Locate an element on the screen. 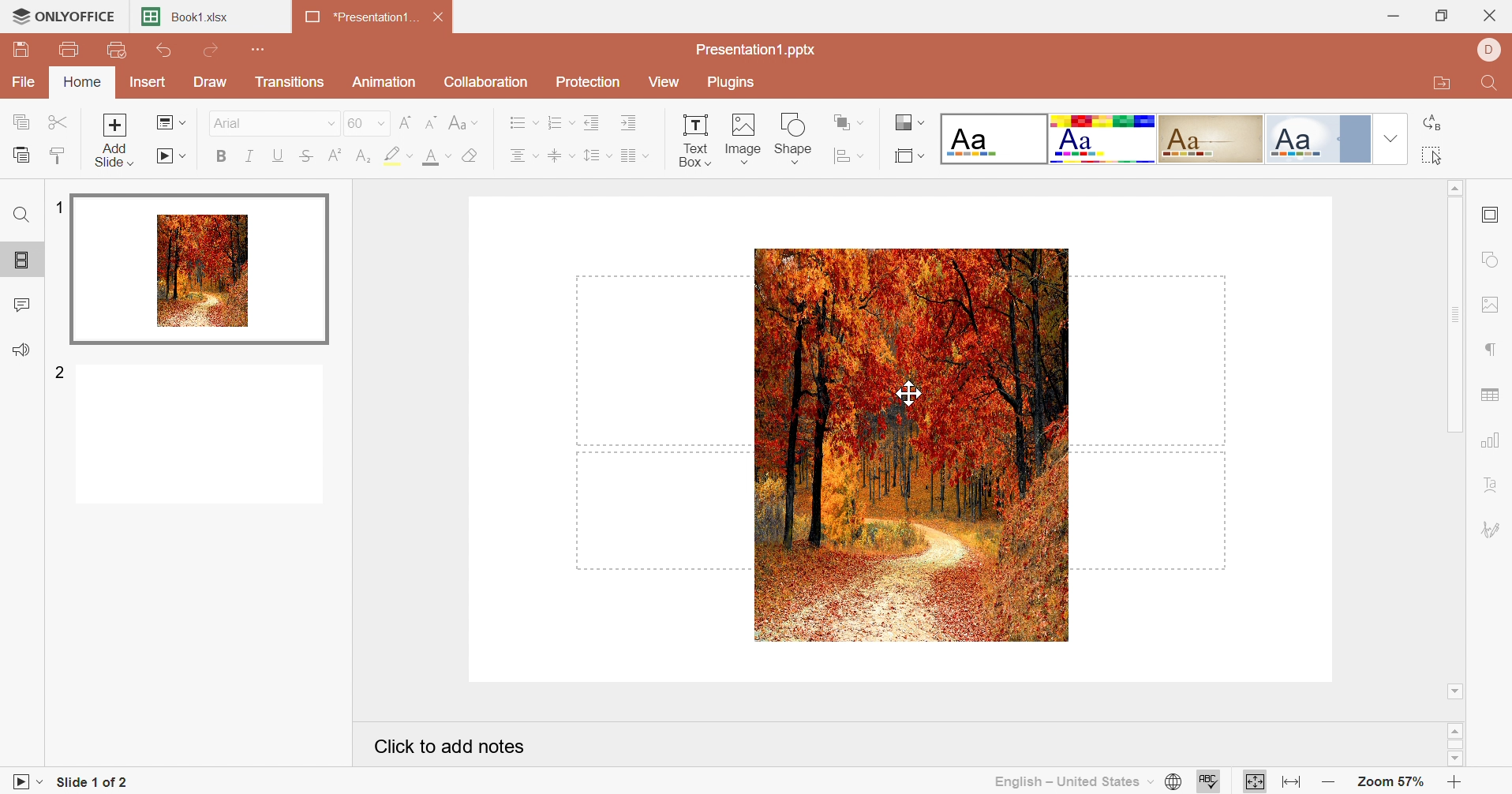 This screenshot has height=794, width=1512. Find is located at coordinates (21, 217).